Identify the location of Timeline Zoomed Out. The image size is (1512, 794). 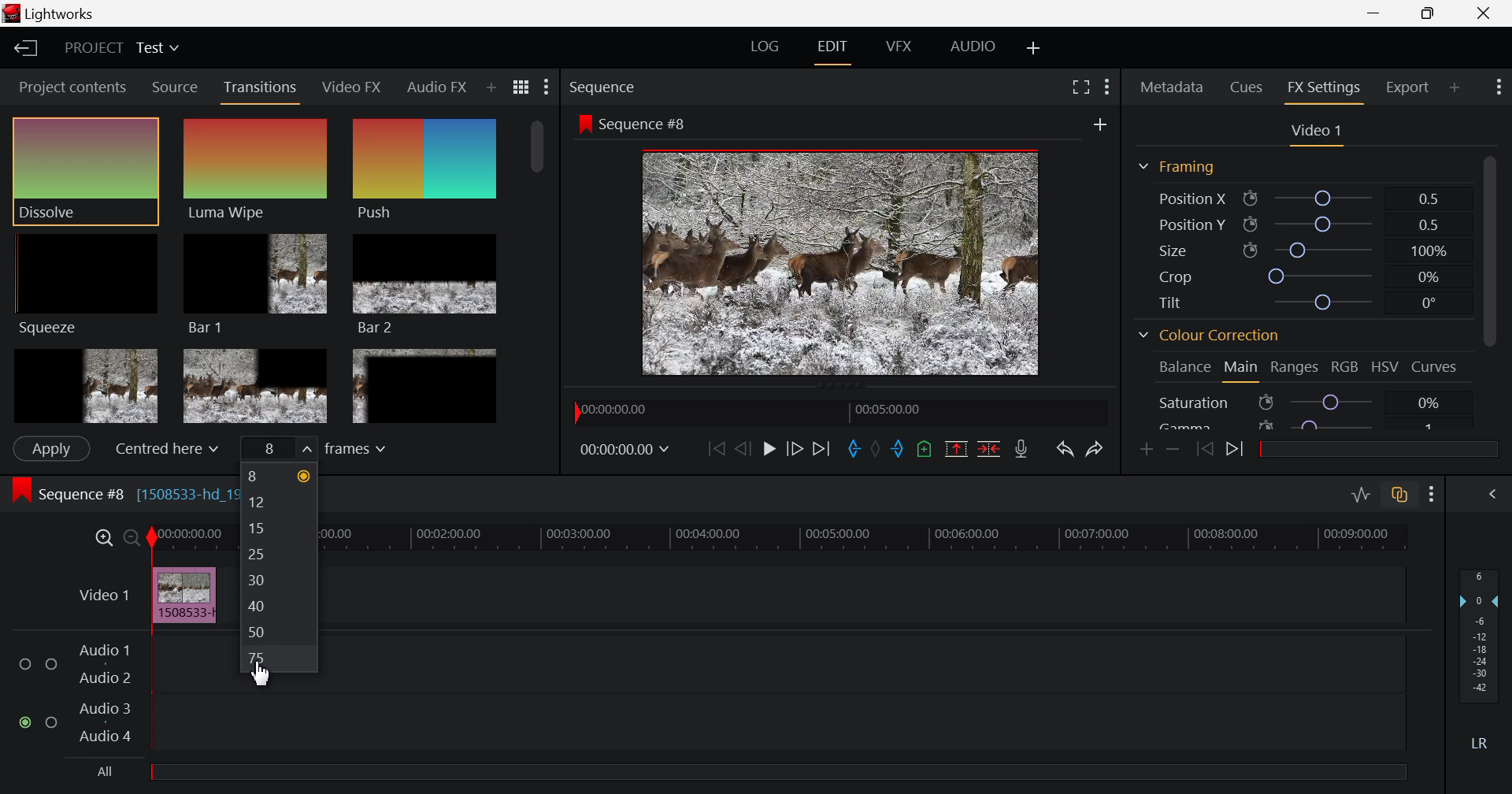
(132, 540).